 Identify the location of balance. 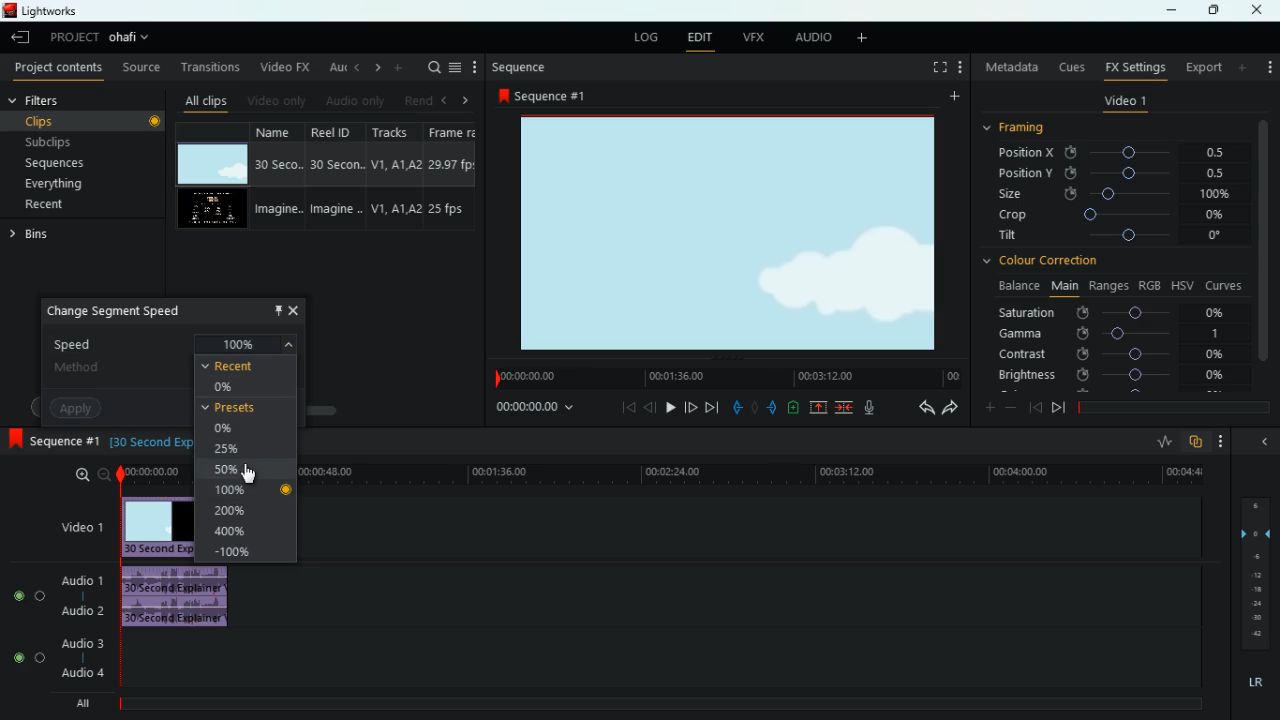
(1016, 286).